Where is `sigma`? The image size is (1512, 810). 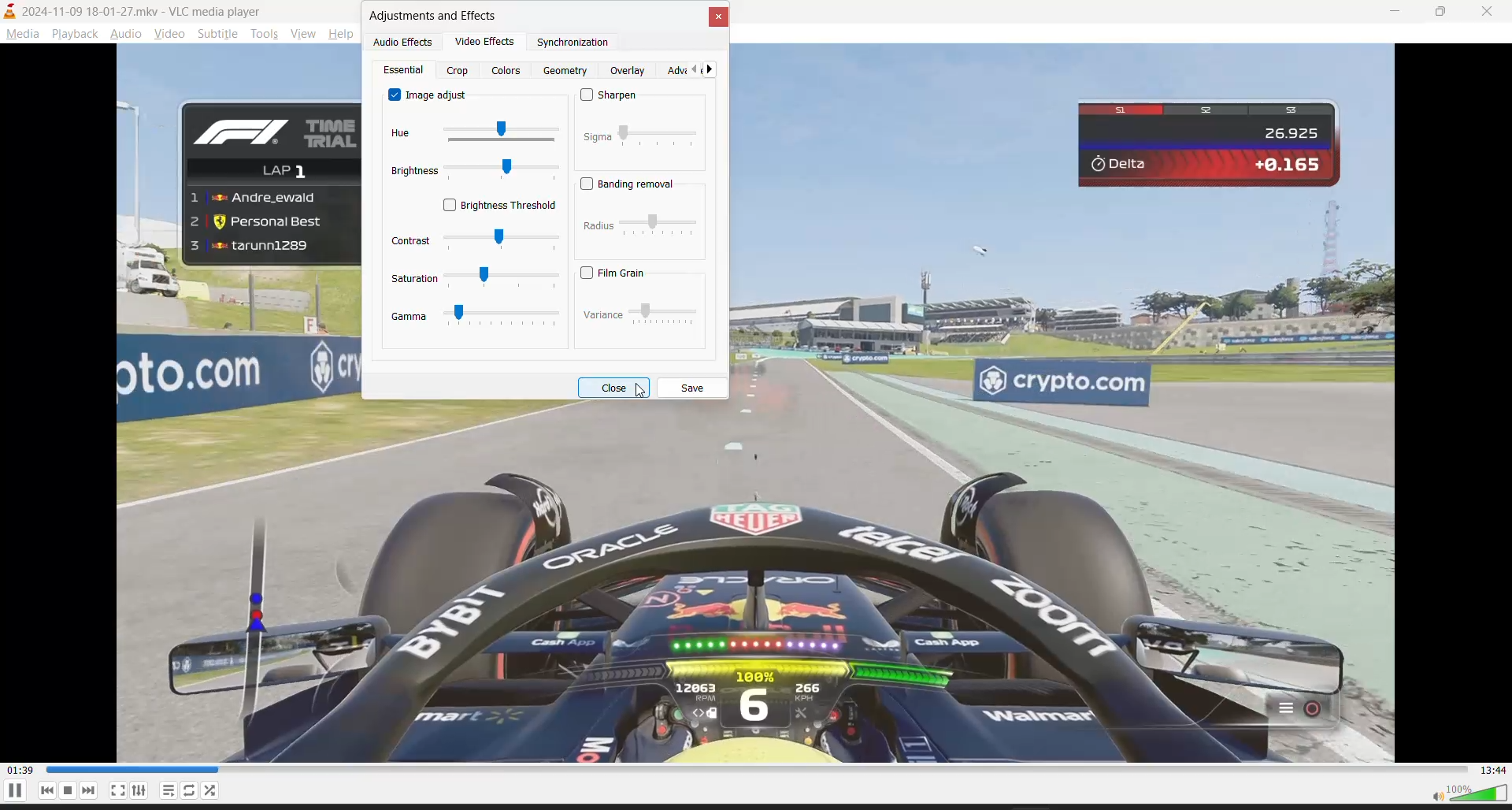 sigma is located at coordinates (639, 140).